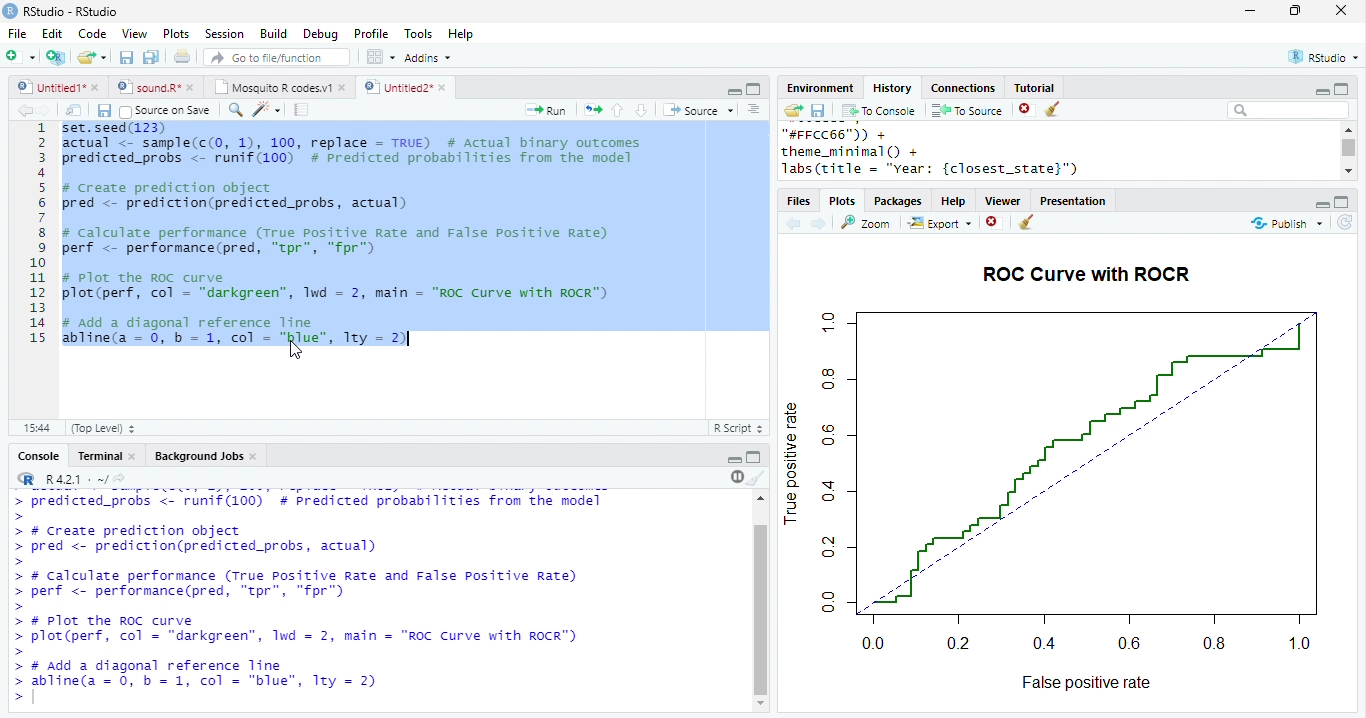 The height and width of the screenshot is (718, 1366). What do you see at coordinates (419, 34) in the screenshot?
I see `Tools` at bounding box center [419, 34].